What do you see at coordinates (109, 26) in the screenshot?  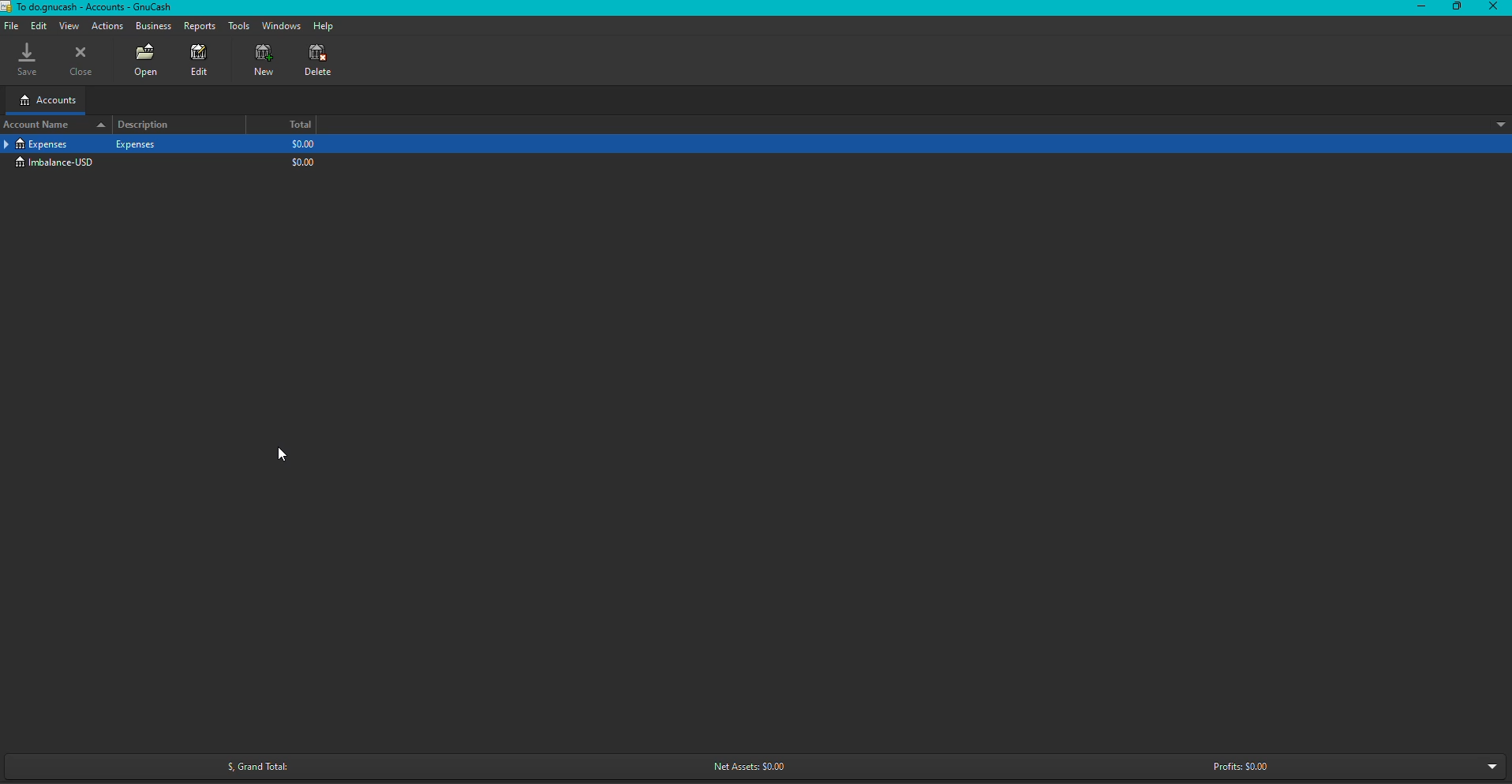 I see `Actions` at bounding box center [109, 26].